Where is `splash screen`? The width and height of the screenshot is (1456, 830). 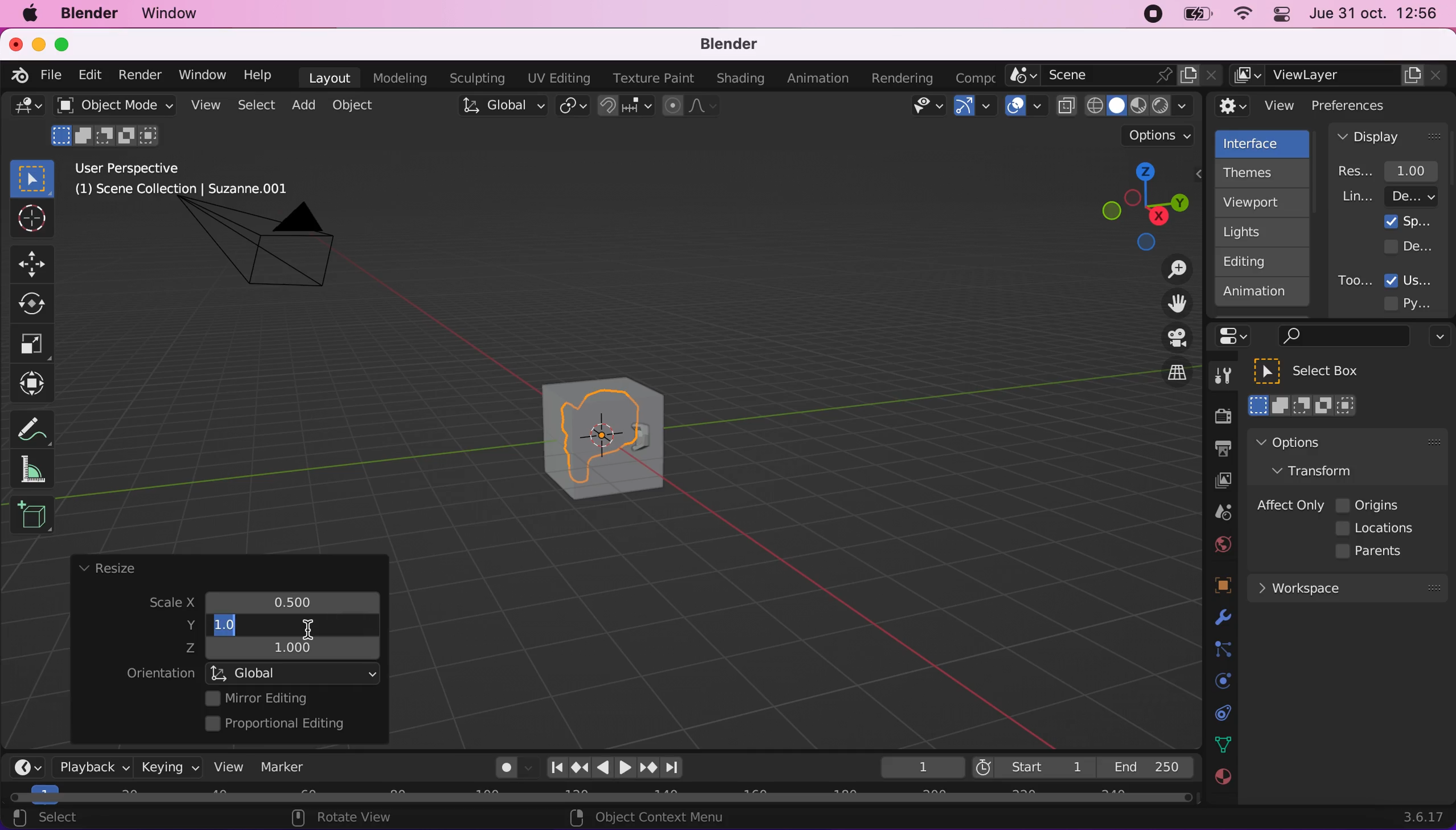 splash screen is located at coordinates (1408, 221).